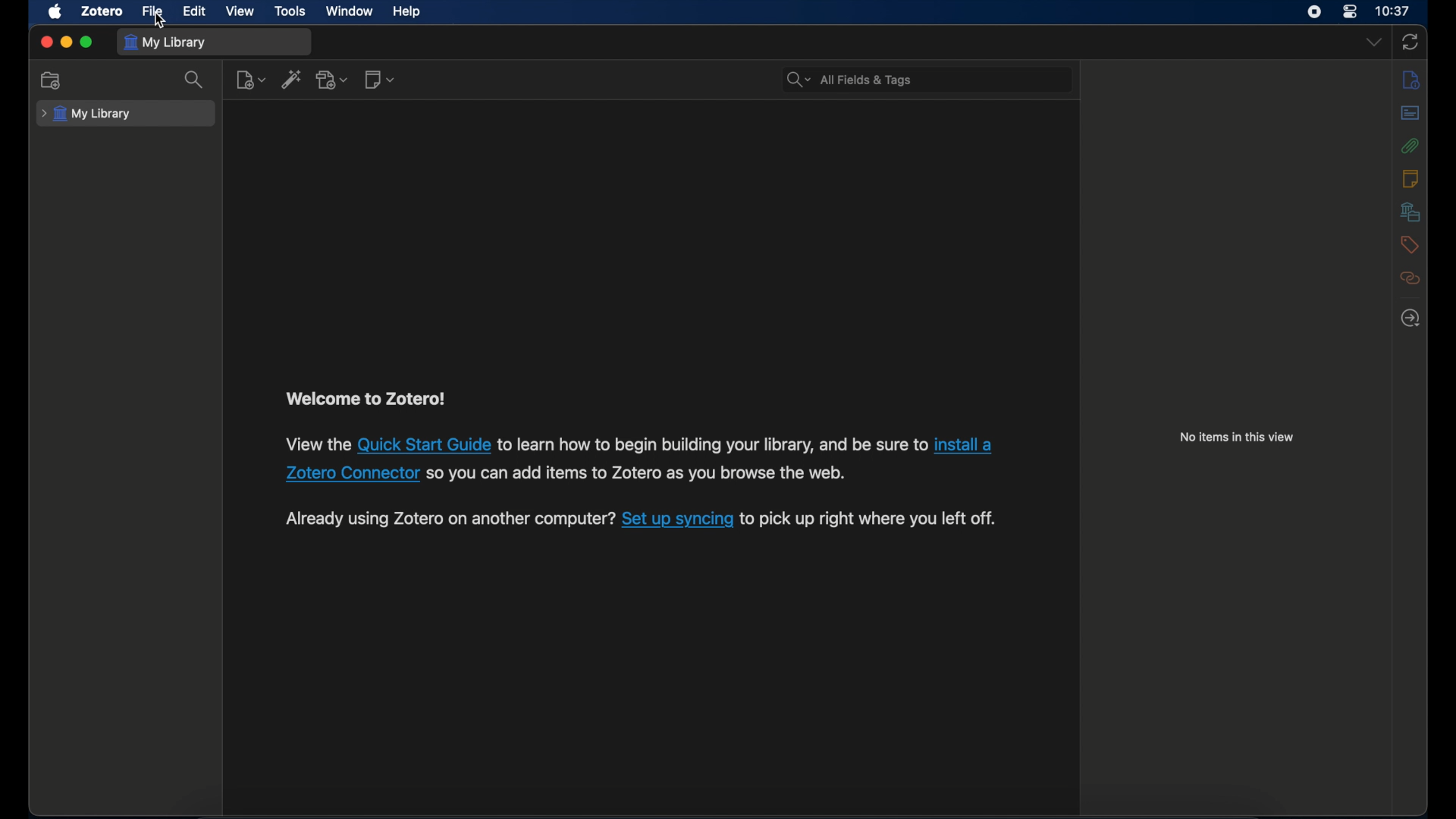  Describe the element at coordinates (1410, 245) in the screenshot. I see `tags` at that location.